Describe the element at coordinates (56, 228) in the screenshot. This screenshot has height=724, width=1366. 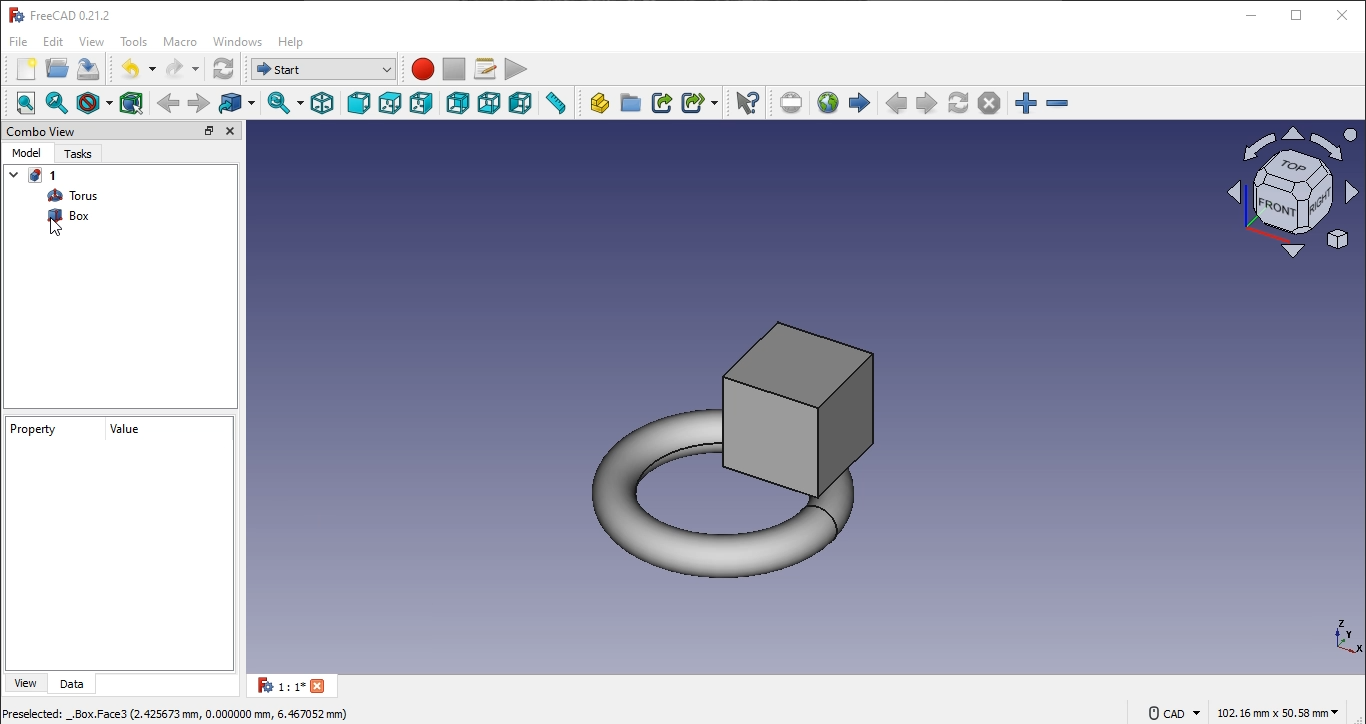
I see `navigation` at that location.